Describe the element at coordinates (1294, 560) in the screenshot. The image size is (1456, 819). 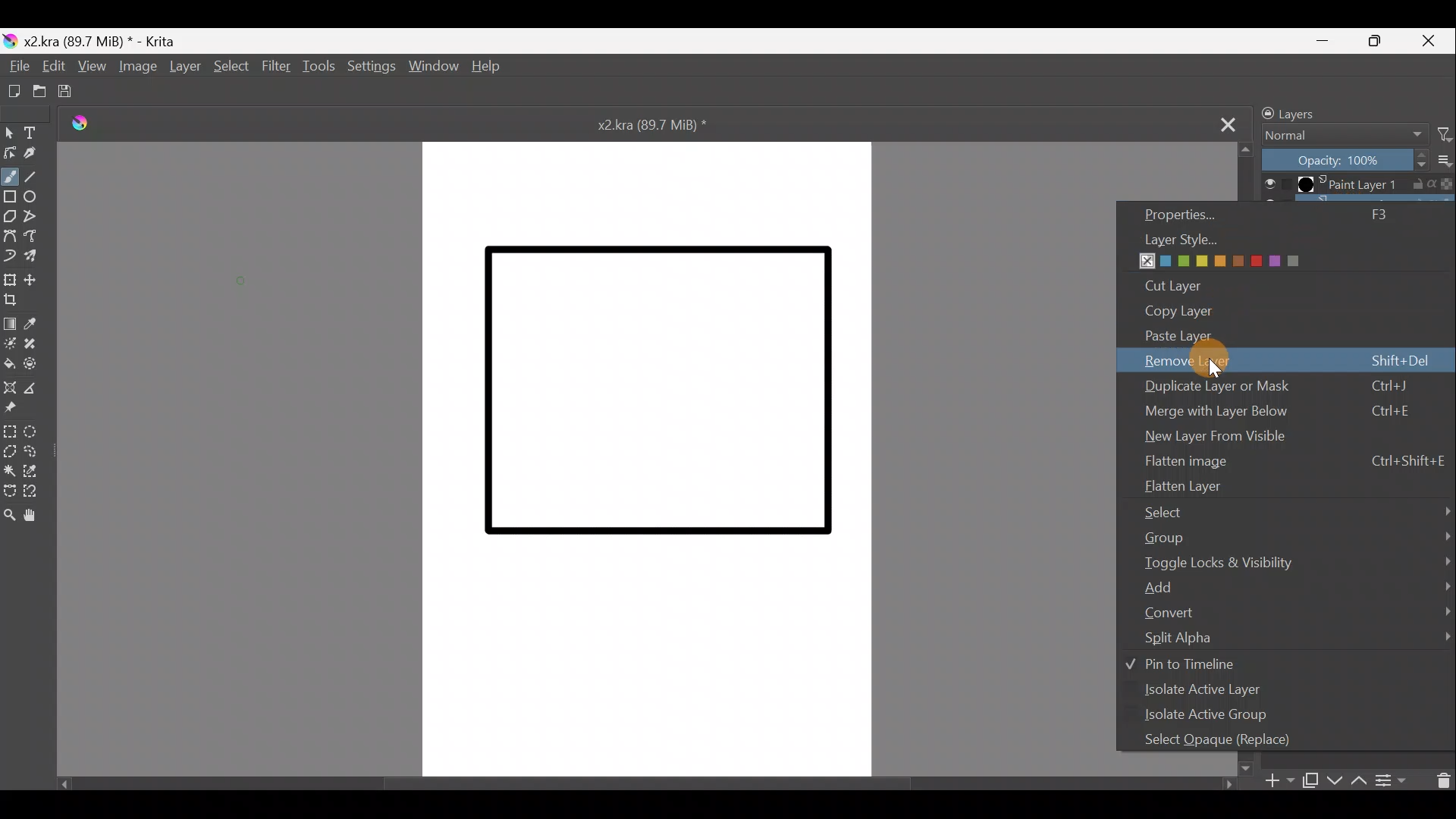
I see `Toggle locks & visibility` at that location.